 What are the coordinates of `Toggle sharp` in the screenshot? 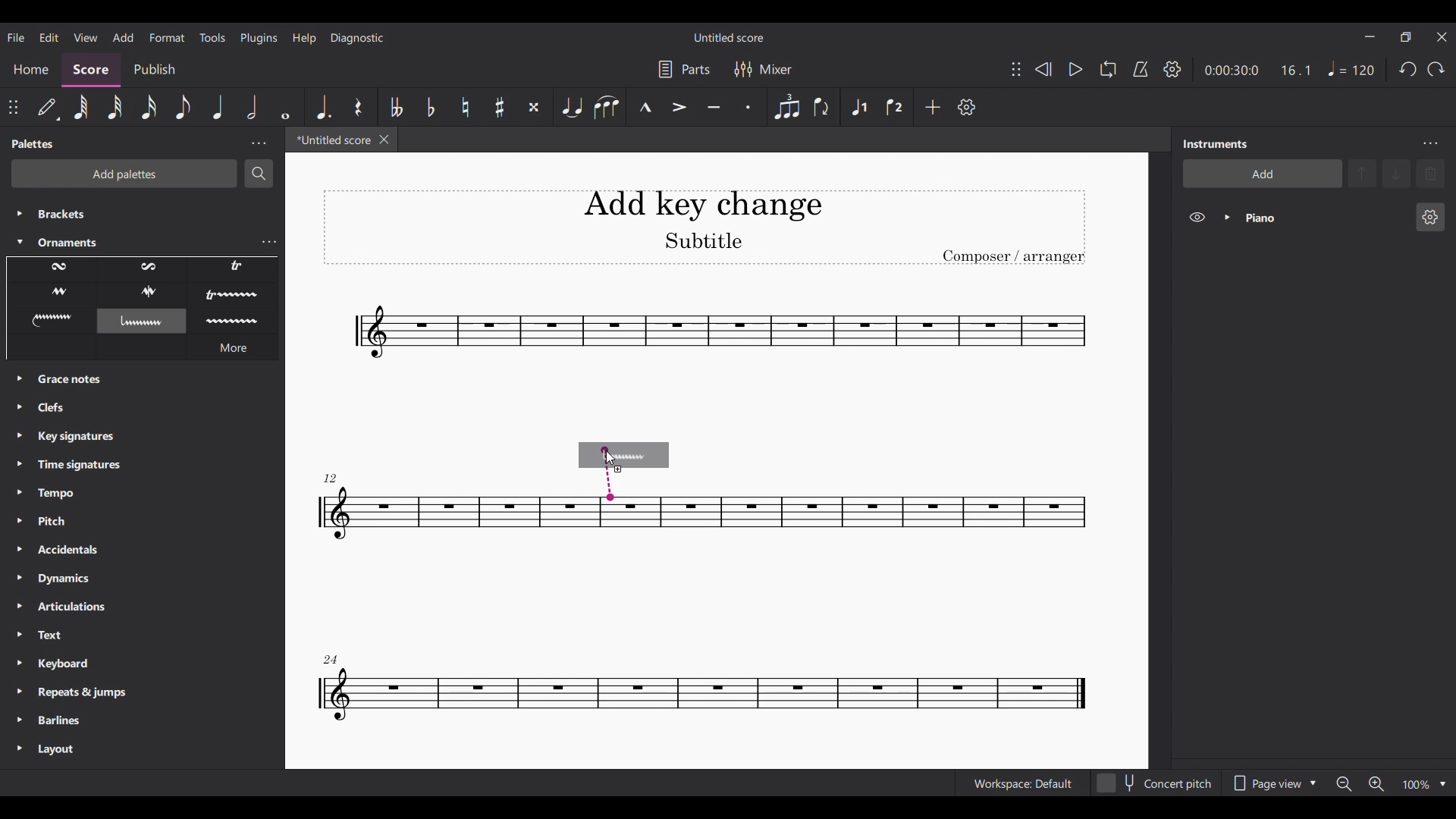 It's located at (499, 108).